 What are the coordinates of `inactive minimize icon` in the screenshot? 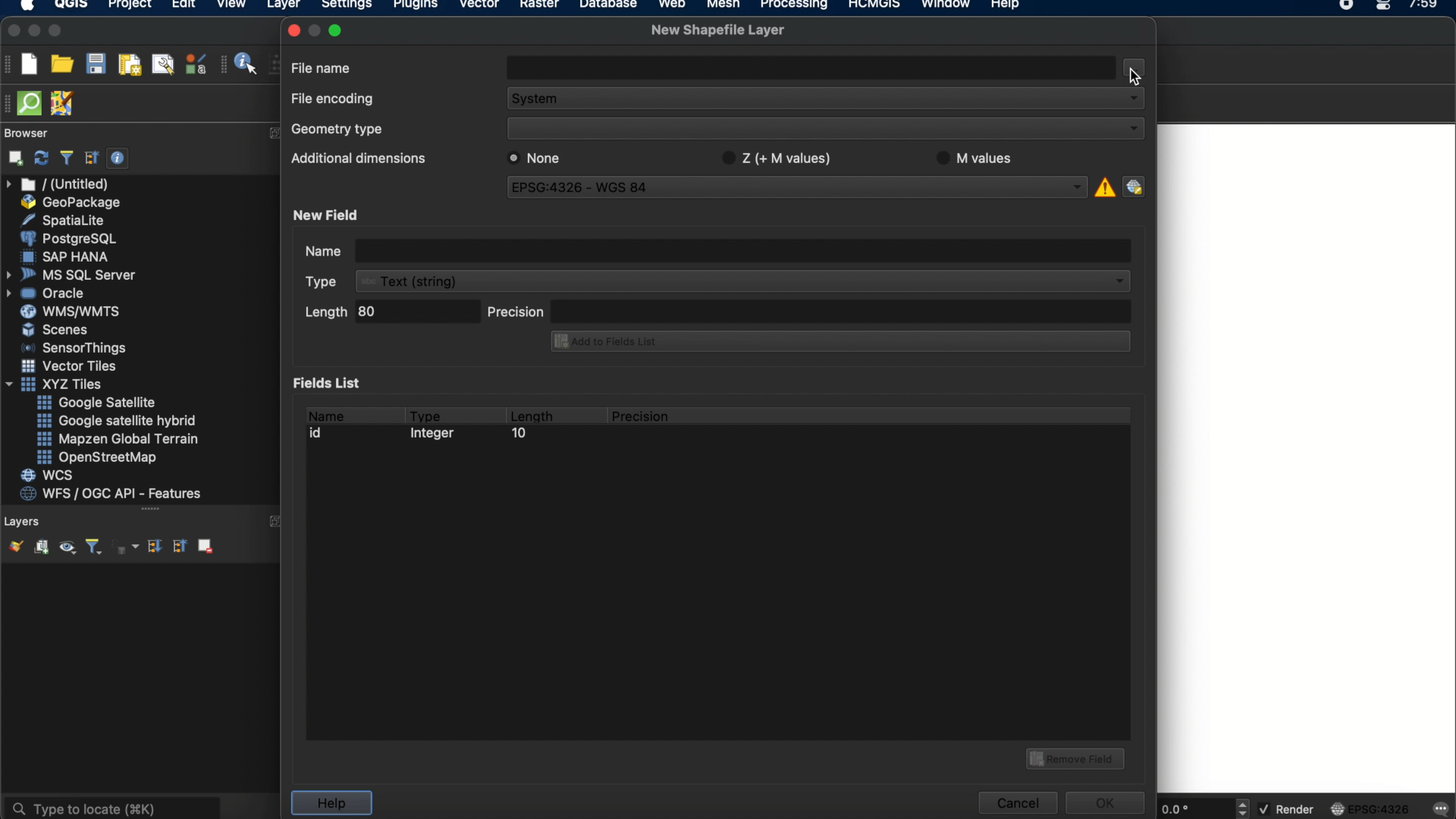 It's located at (315, 30).